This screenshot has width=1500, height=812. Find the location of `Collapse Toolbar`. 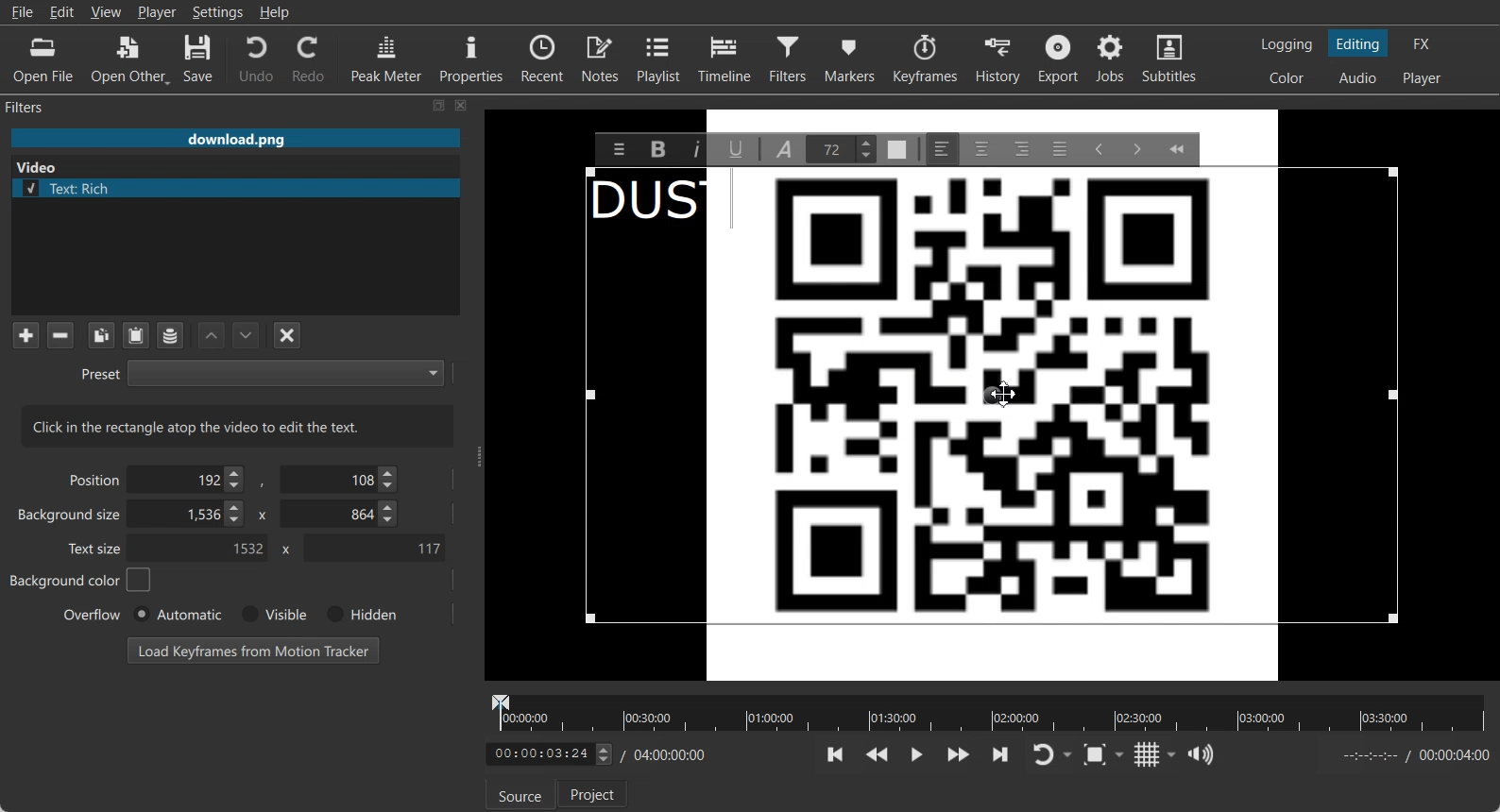

Collapse Toolbar is located at coordinates (1176, 148).